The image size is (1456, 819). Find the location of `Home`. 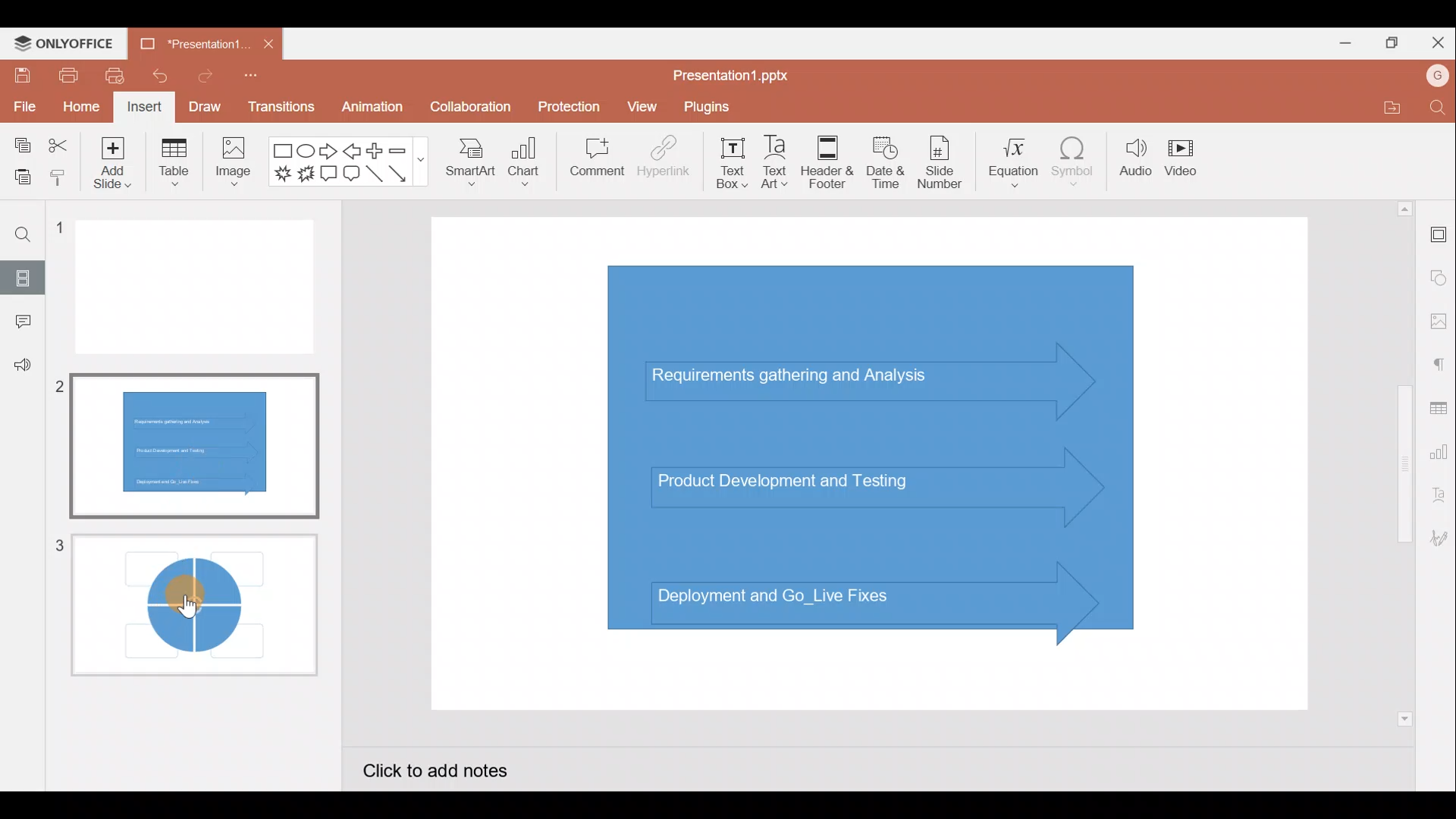

Home is located at coordinates (80, 108).